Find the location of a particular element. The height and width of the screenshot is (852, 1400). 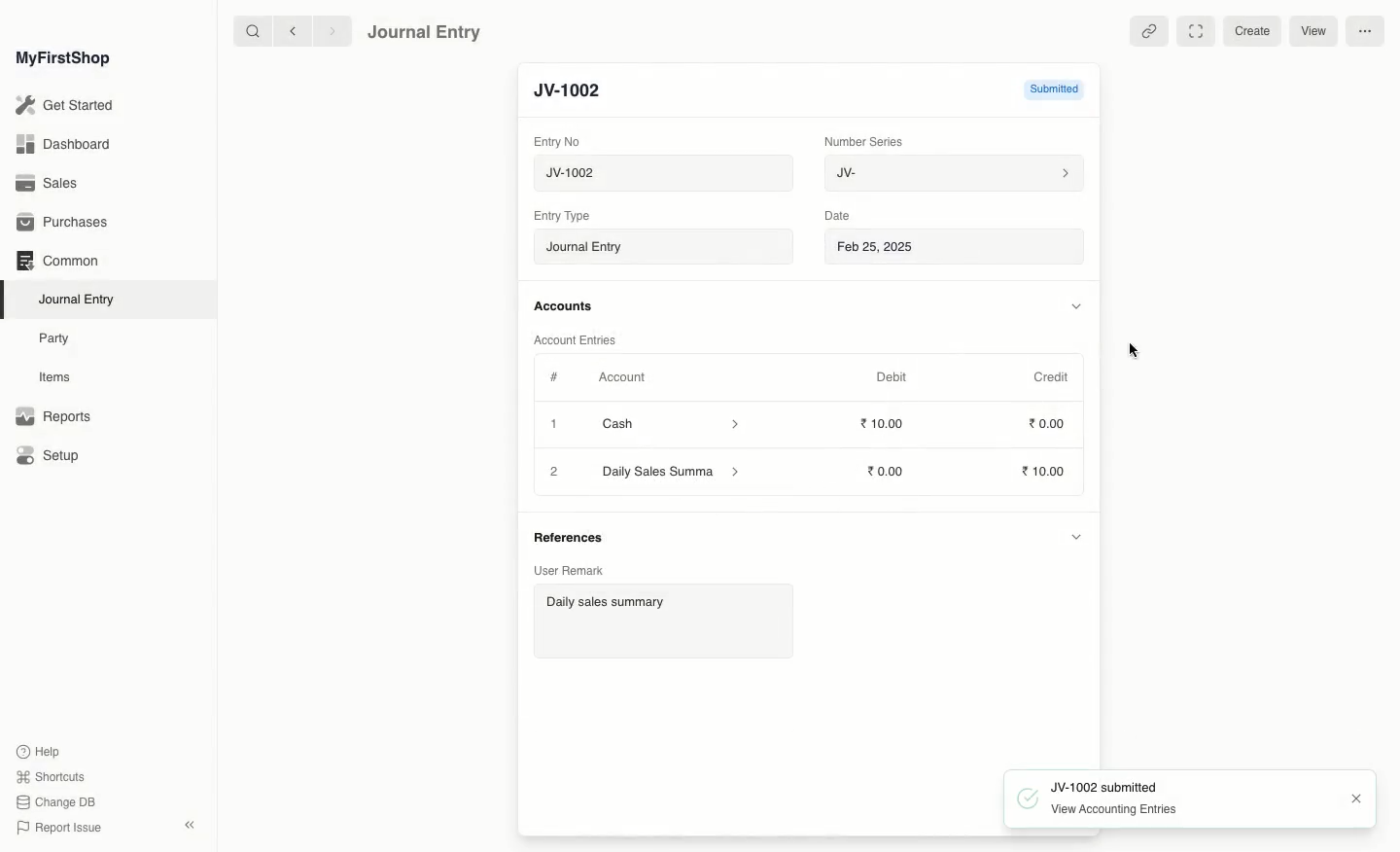

‘Number Series is located at coordinates (864, 140).